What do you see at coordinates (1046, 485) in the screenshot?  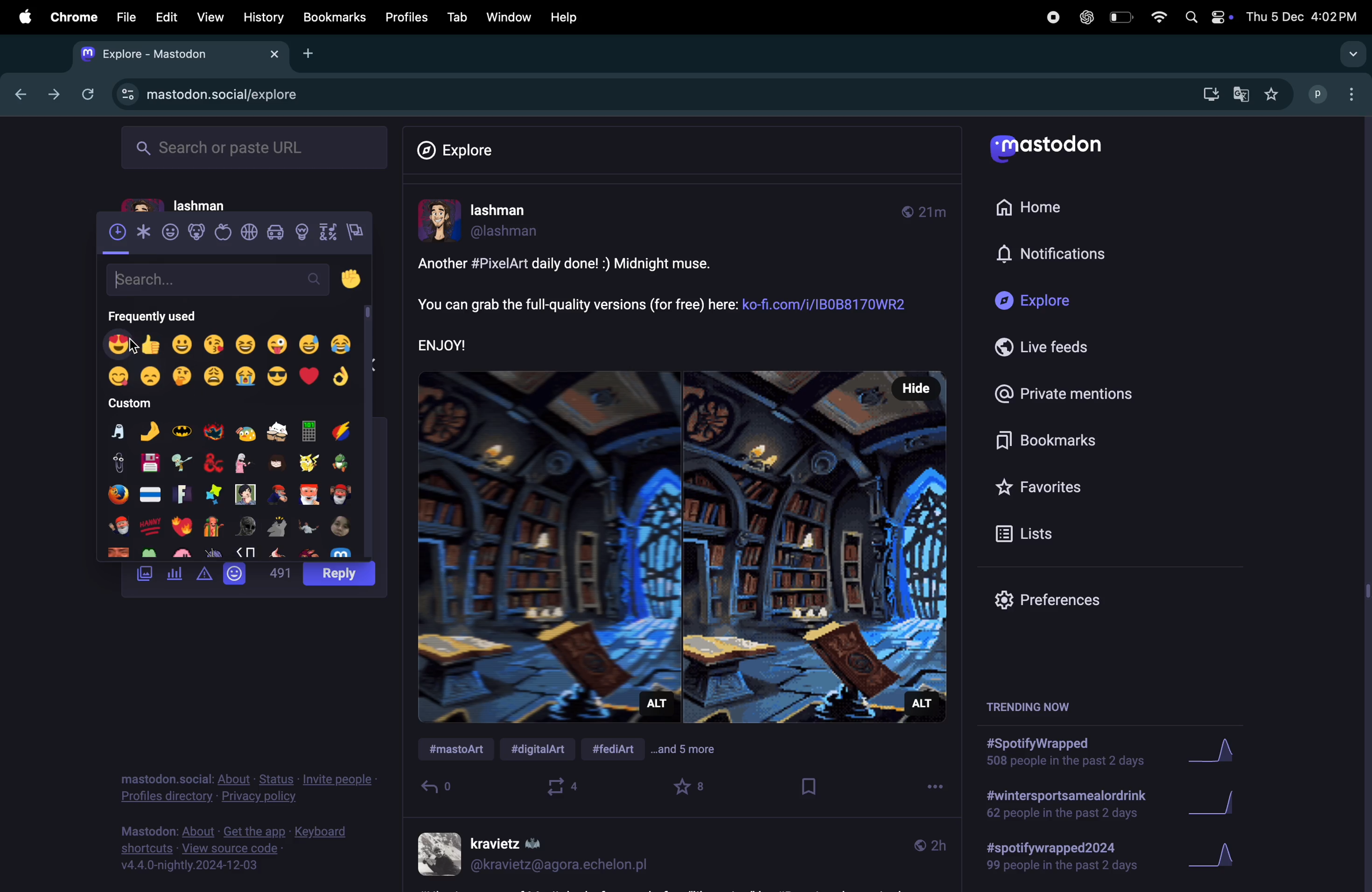 I see `favourites` at bounding box center [1046, 485].